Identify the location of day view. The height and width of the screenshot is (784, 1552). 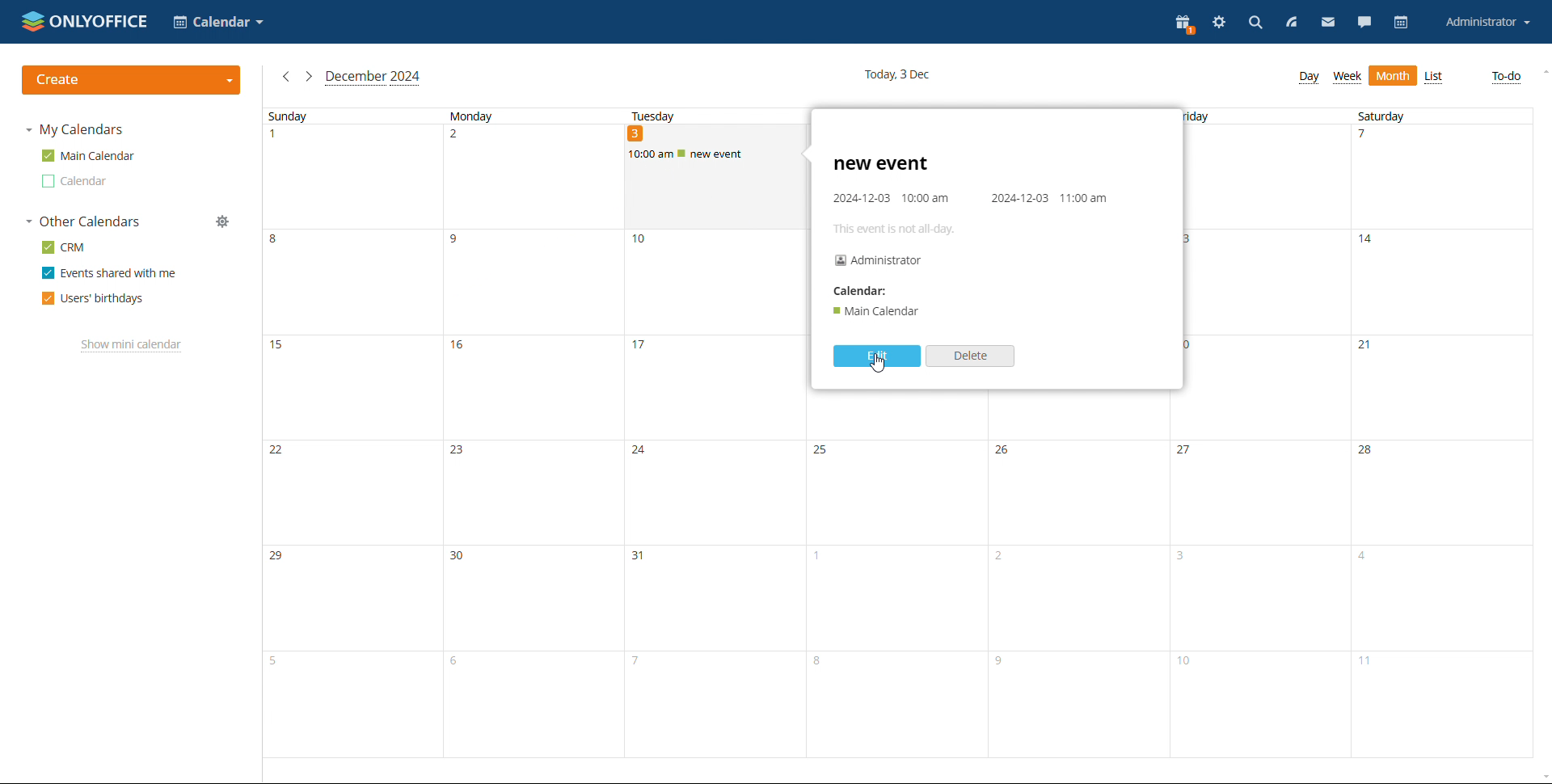
(1308, 78).